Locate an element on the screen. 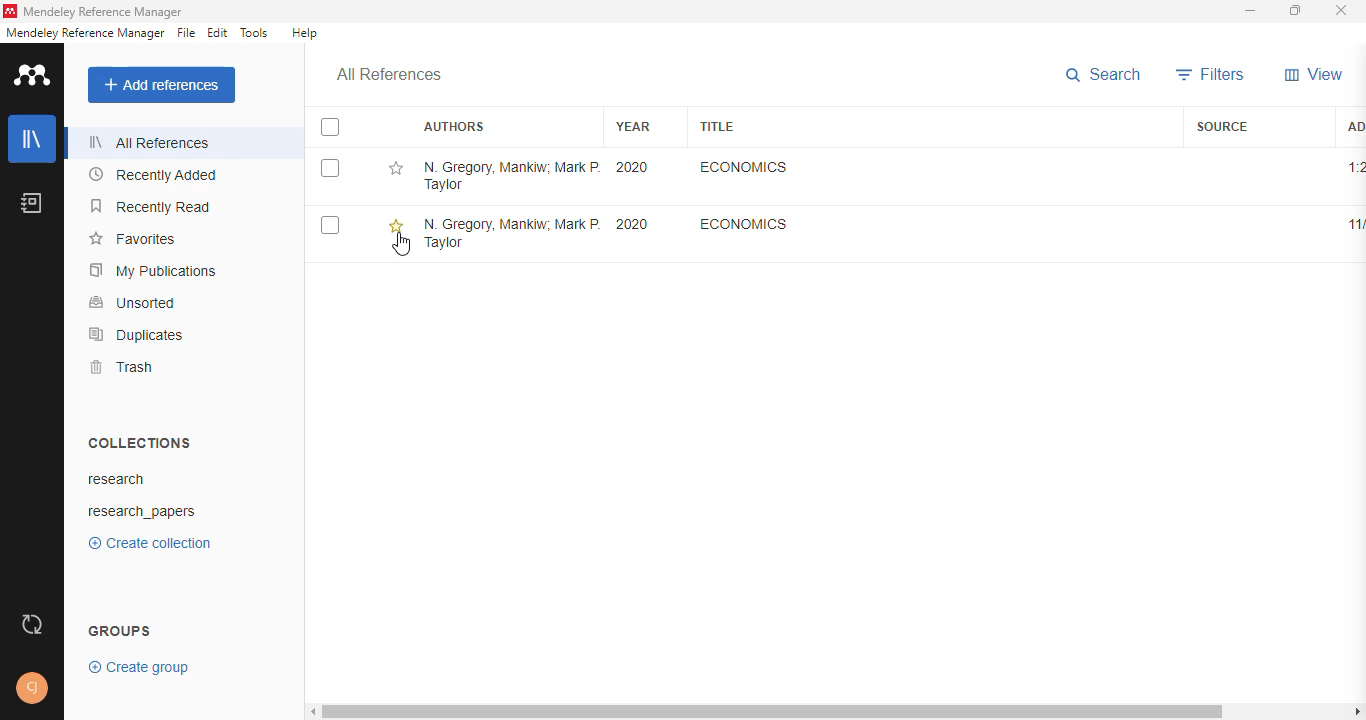 This screenshot has width=1366, height=720. all references is located at coordinates (150, 142).